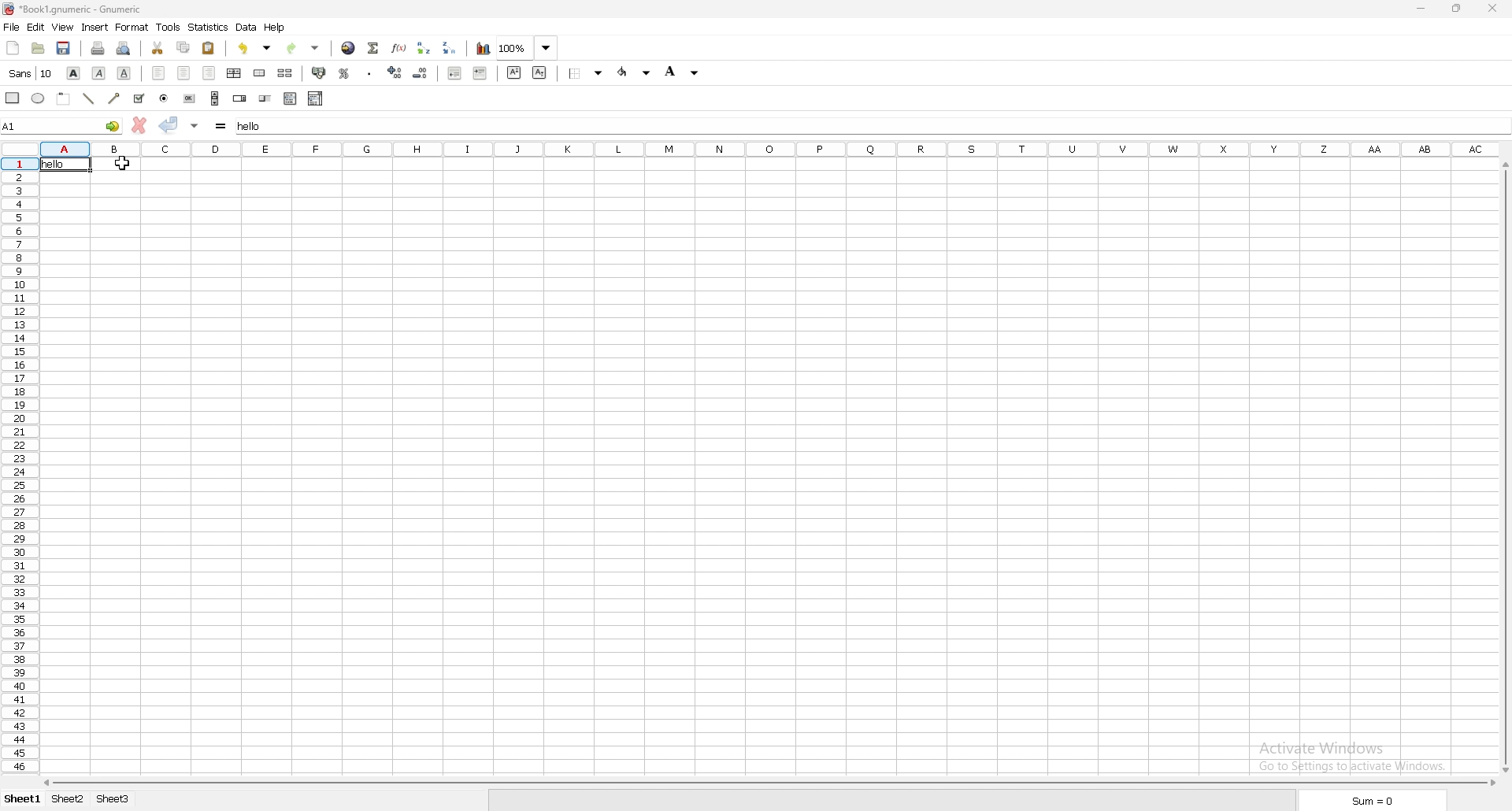  What do you see at coordinates (540, 72) in the screenshot?
I see `subscript` at bounding box center [540, 72].